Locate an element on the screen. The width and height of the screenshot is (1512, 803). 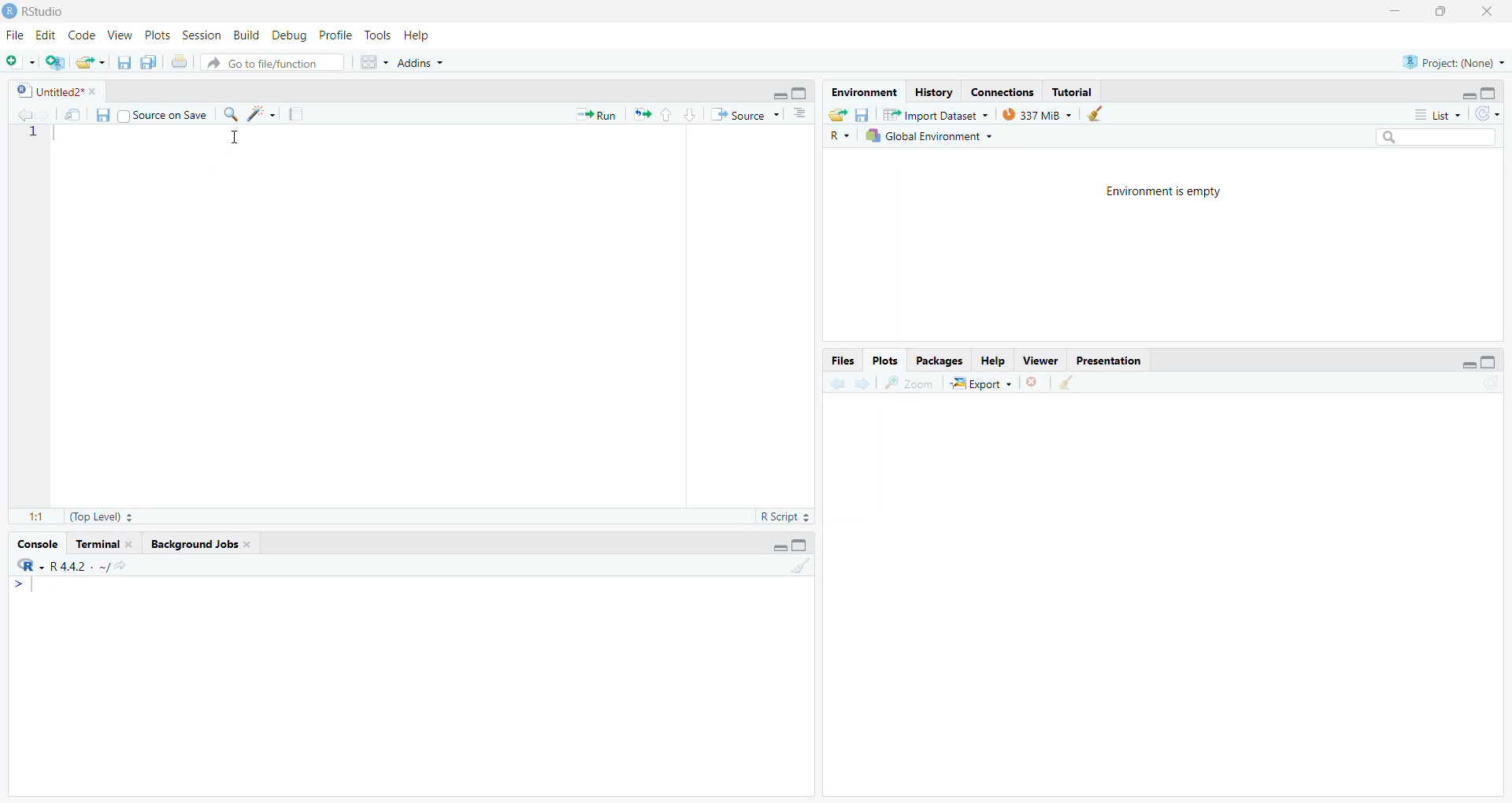
re run the previous code is located at coordinates (639, 114).